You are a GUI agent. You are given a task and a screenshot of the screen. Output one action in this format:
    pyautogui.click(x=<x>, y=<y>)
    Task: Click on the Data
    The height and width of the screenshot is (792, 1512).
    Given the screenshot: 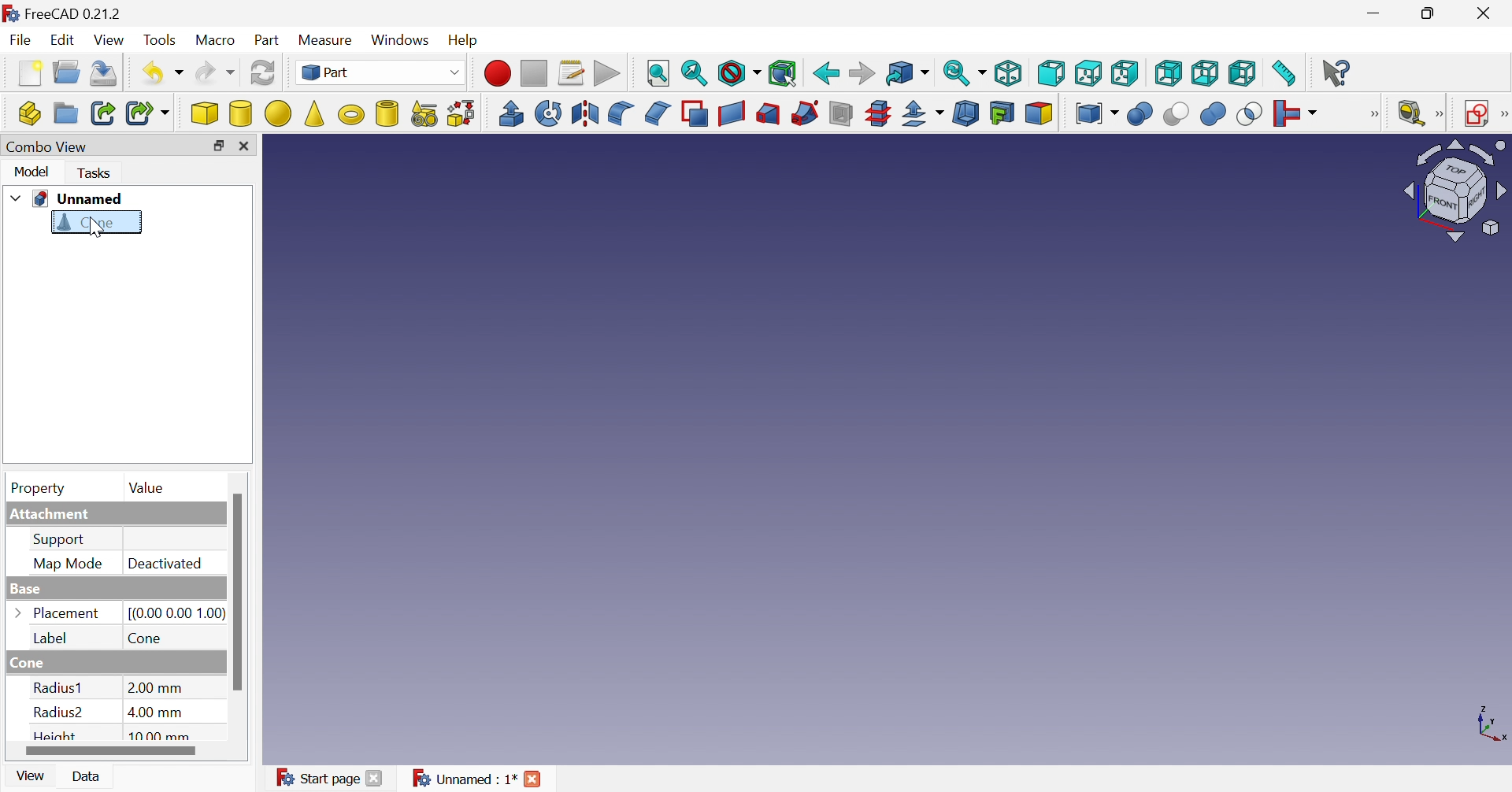 What is the action you would take?
    pyautogui.click(x=89, y=778)
    